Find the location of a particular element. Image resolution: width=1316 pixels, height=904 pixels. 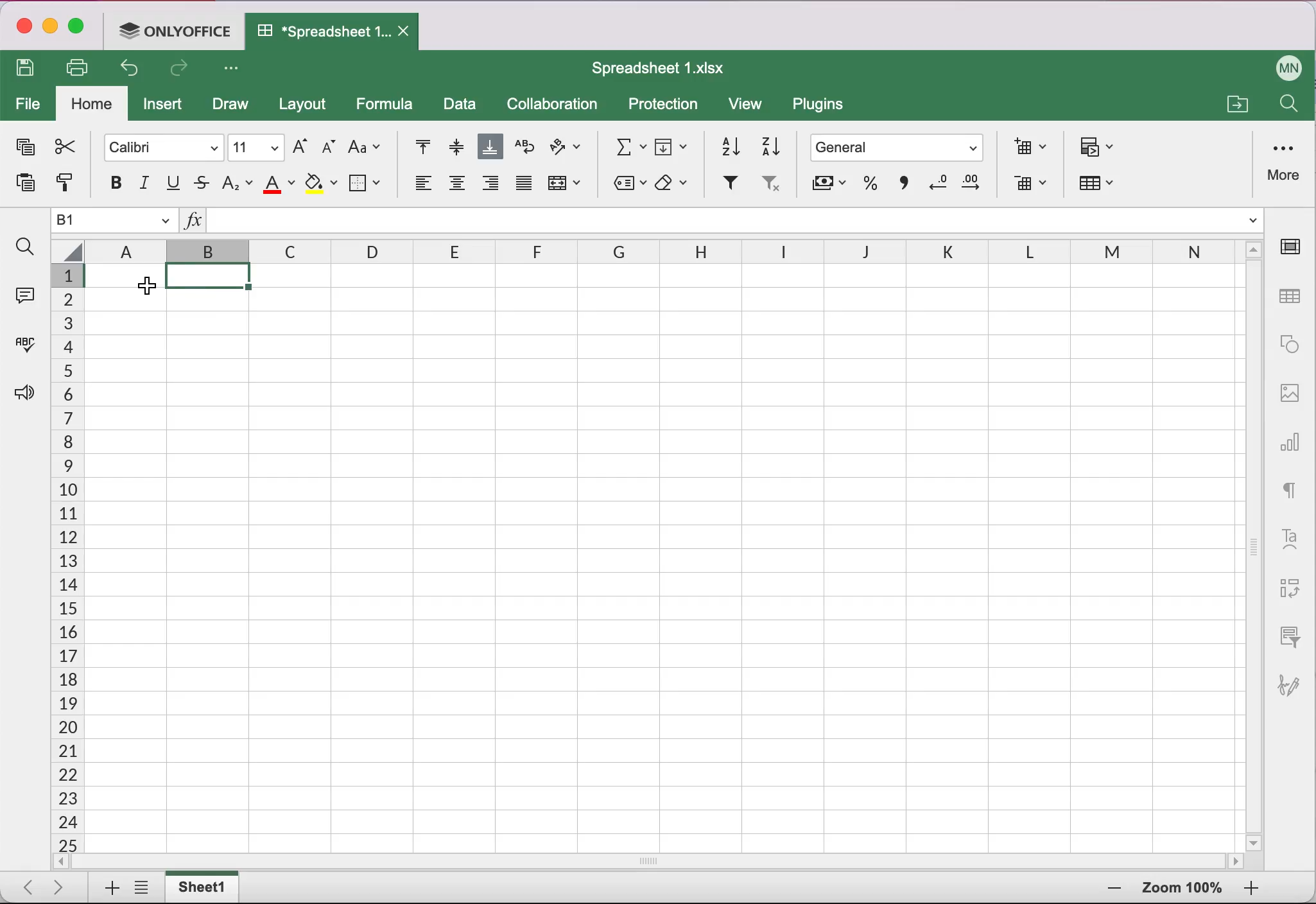

comments is located at coordinates (23, 293).